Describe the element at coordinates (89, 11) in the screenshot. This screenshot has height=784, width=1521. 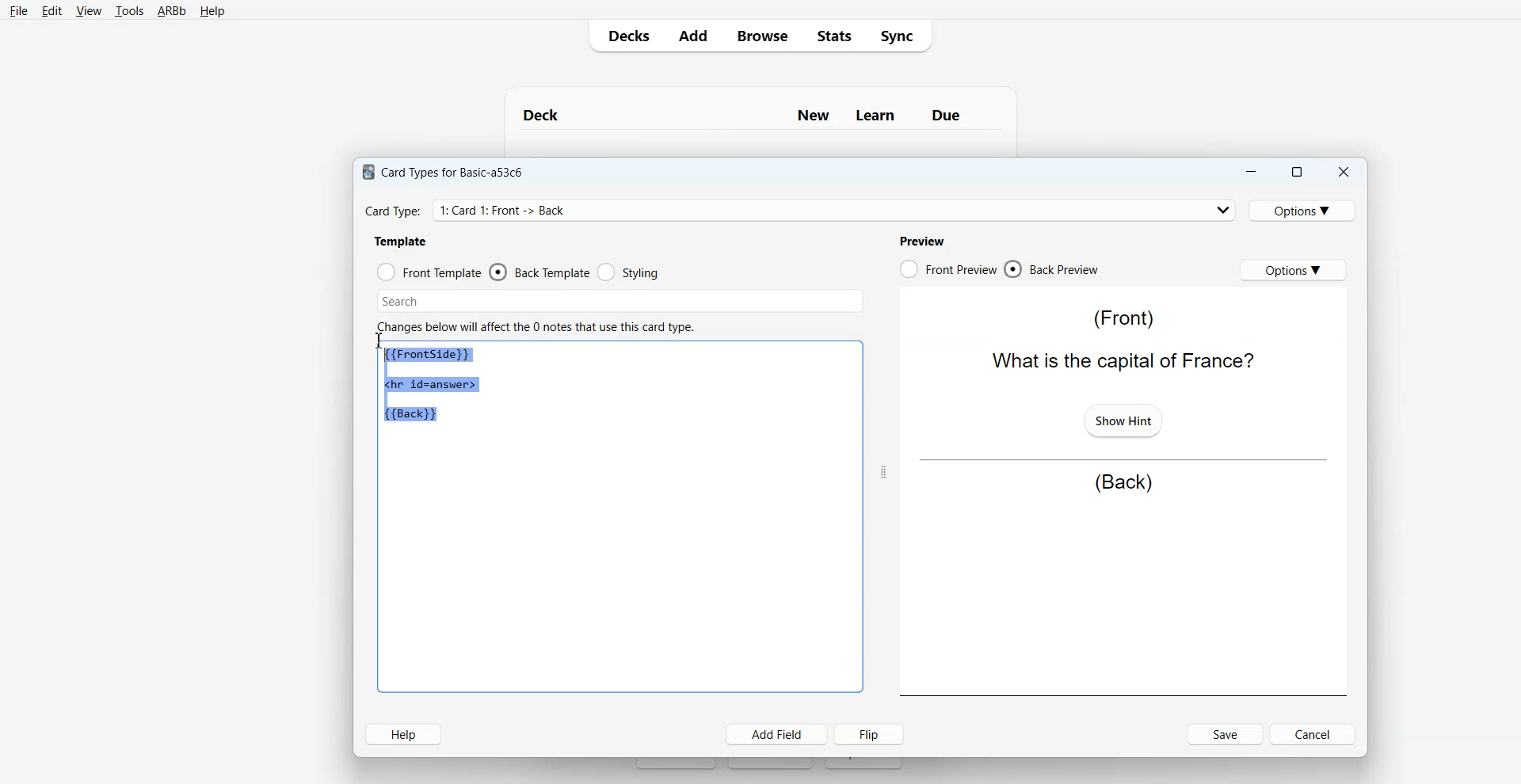
I see `View` at that location.